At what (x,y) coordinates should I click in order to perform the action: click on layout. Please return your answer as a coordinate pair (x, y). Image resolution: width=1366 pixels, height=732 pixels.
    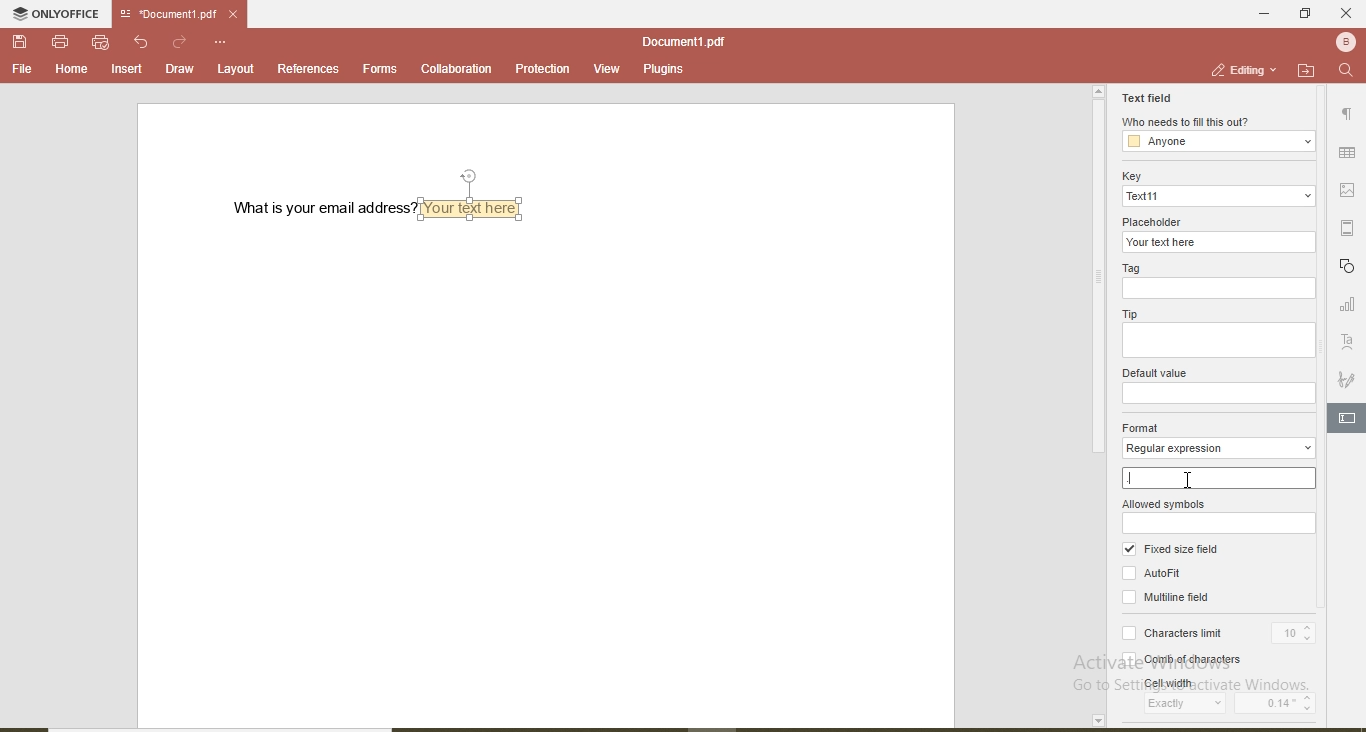
    Looking at the image, I should click on (237, 68).